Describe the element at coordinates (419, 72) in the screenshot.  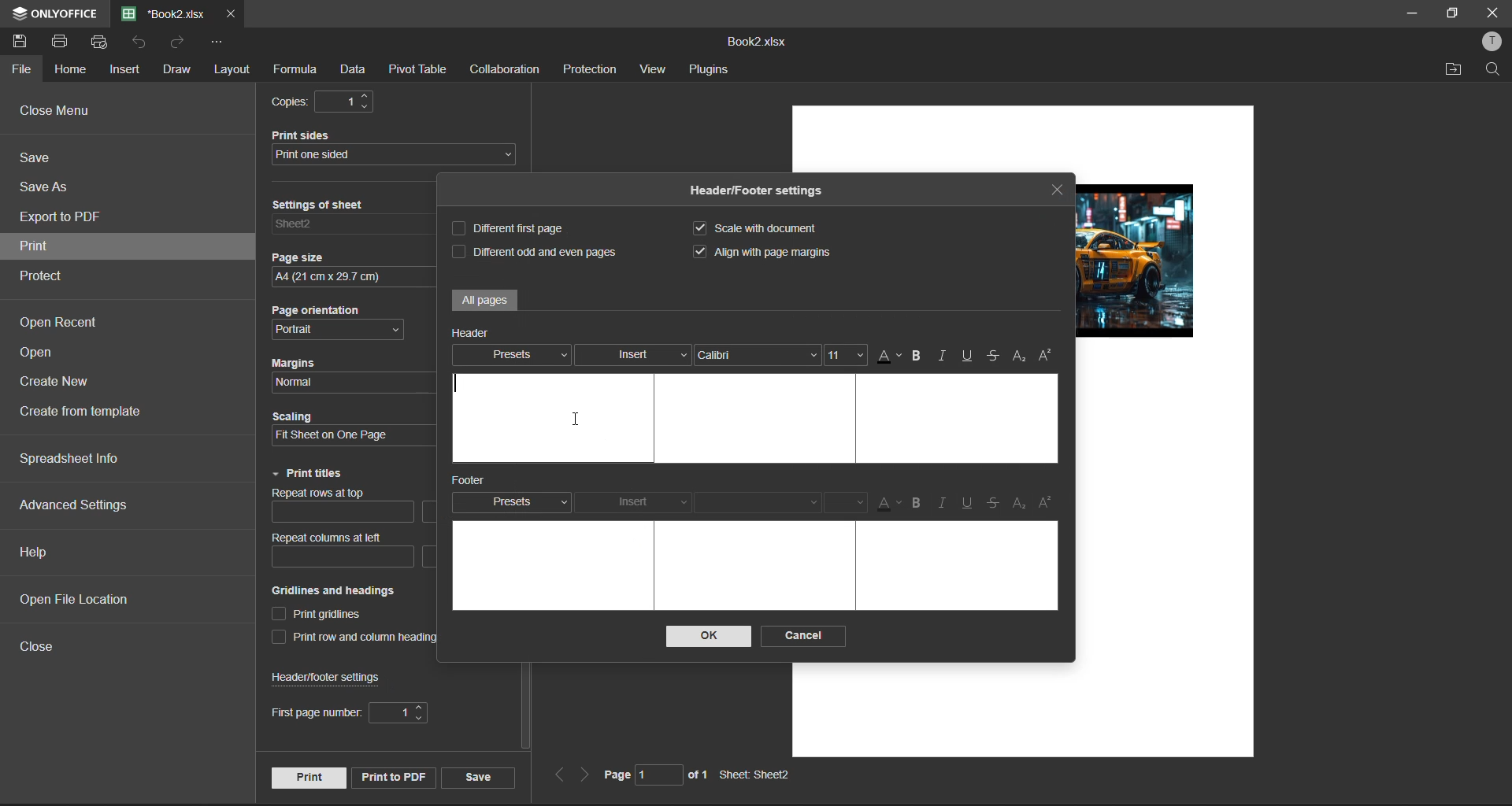
I see `pivot table` at that location.